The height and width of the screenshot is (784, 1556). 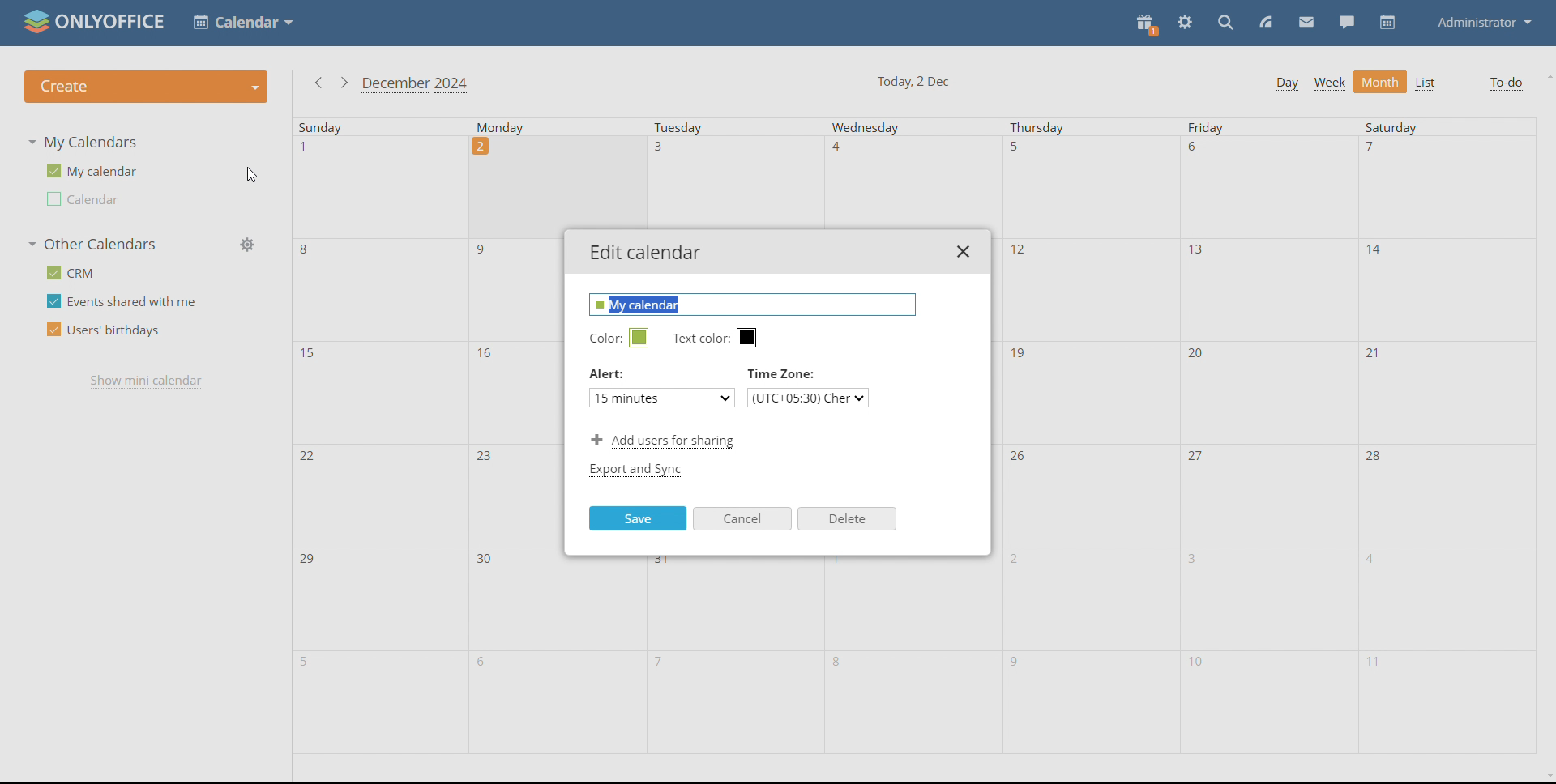 What do you see at coordinates (736, 656) in the screenshot?
I see `tuesday` at bounding box center [736, 656].